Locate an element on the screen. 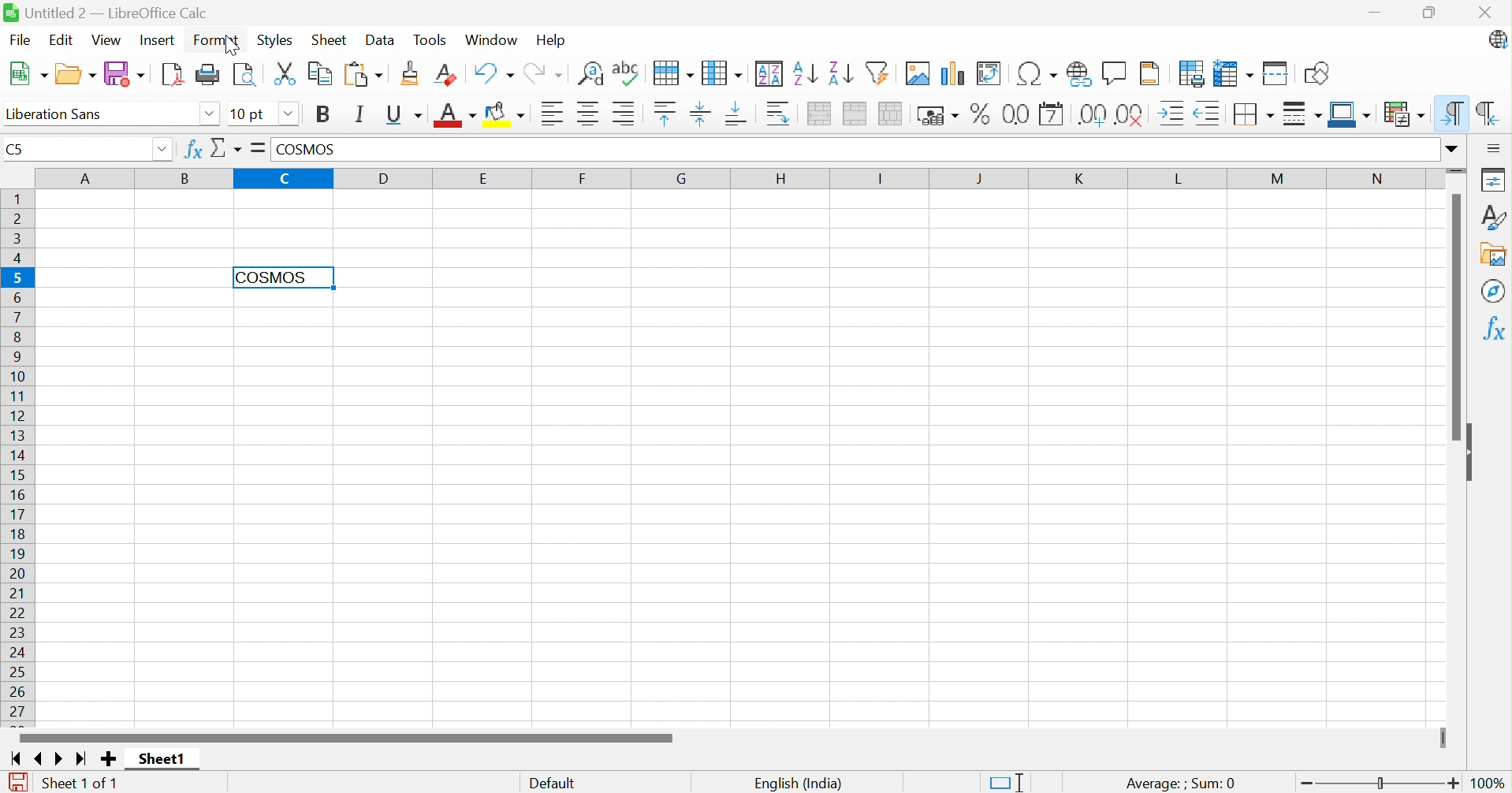 This screenshot has height=793, width=1512. Border Color is located at coordinates (1350, 114).